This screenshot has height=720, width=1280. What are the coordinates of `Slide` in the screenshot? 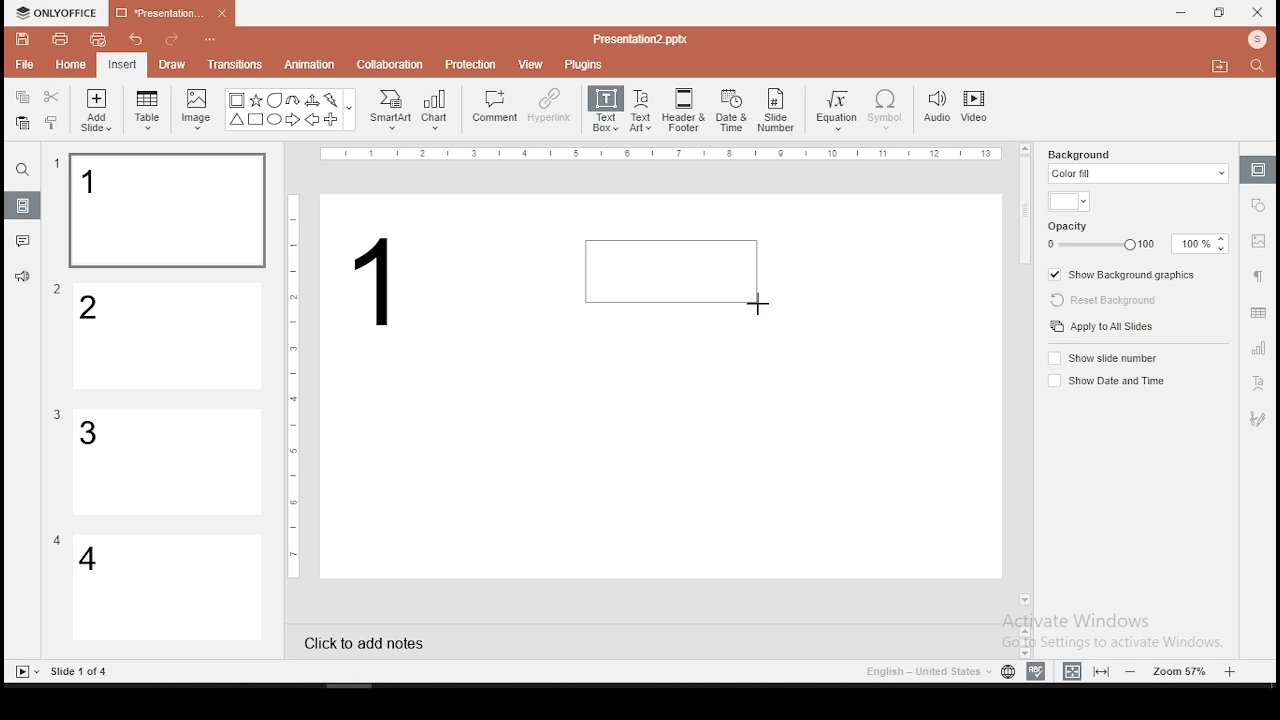 It's located at (23, 672).